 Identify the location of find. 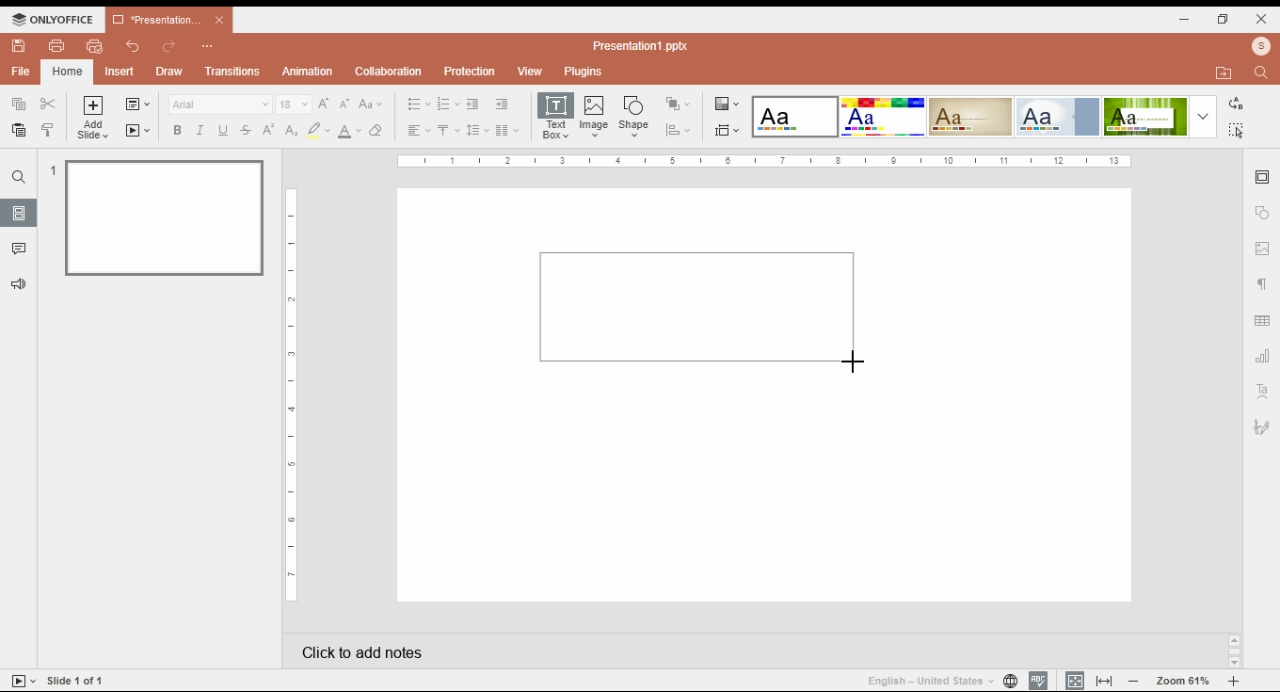
(1238, 130).